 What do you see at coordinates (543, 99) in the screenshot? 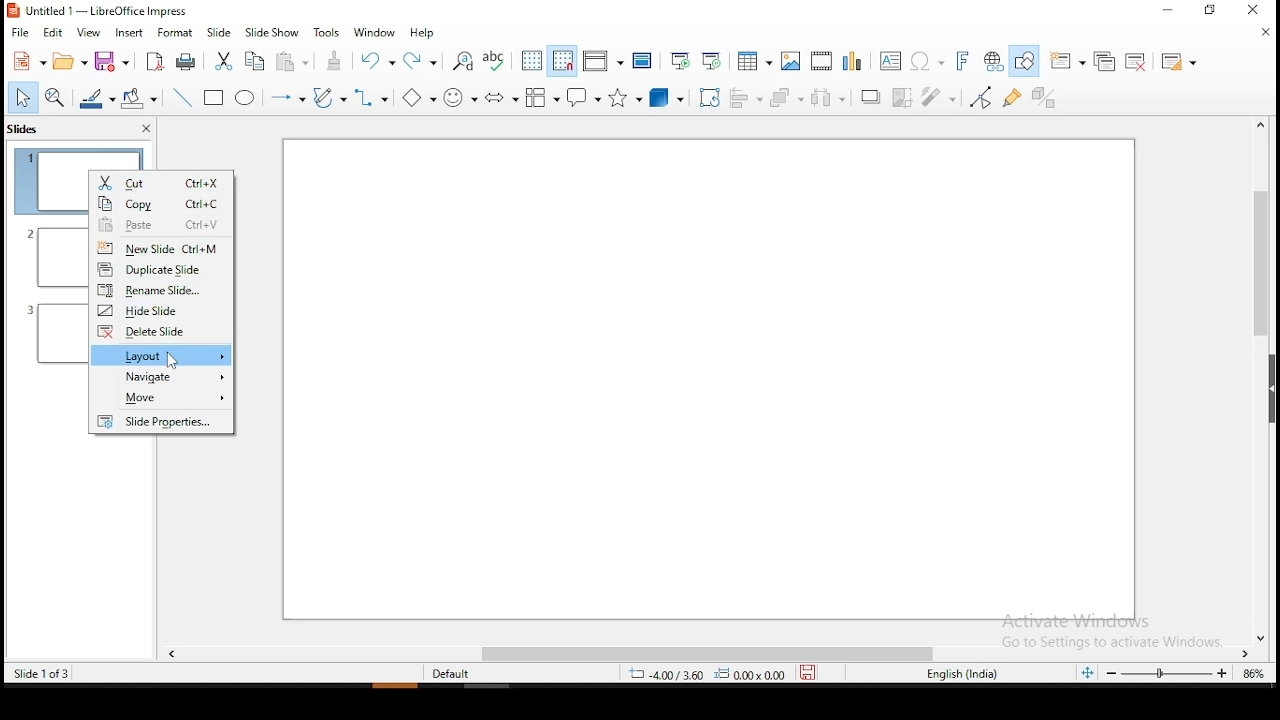
I see `flowchart` at bounding box center [543, 99].